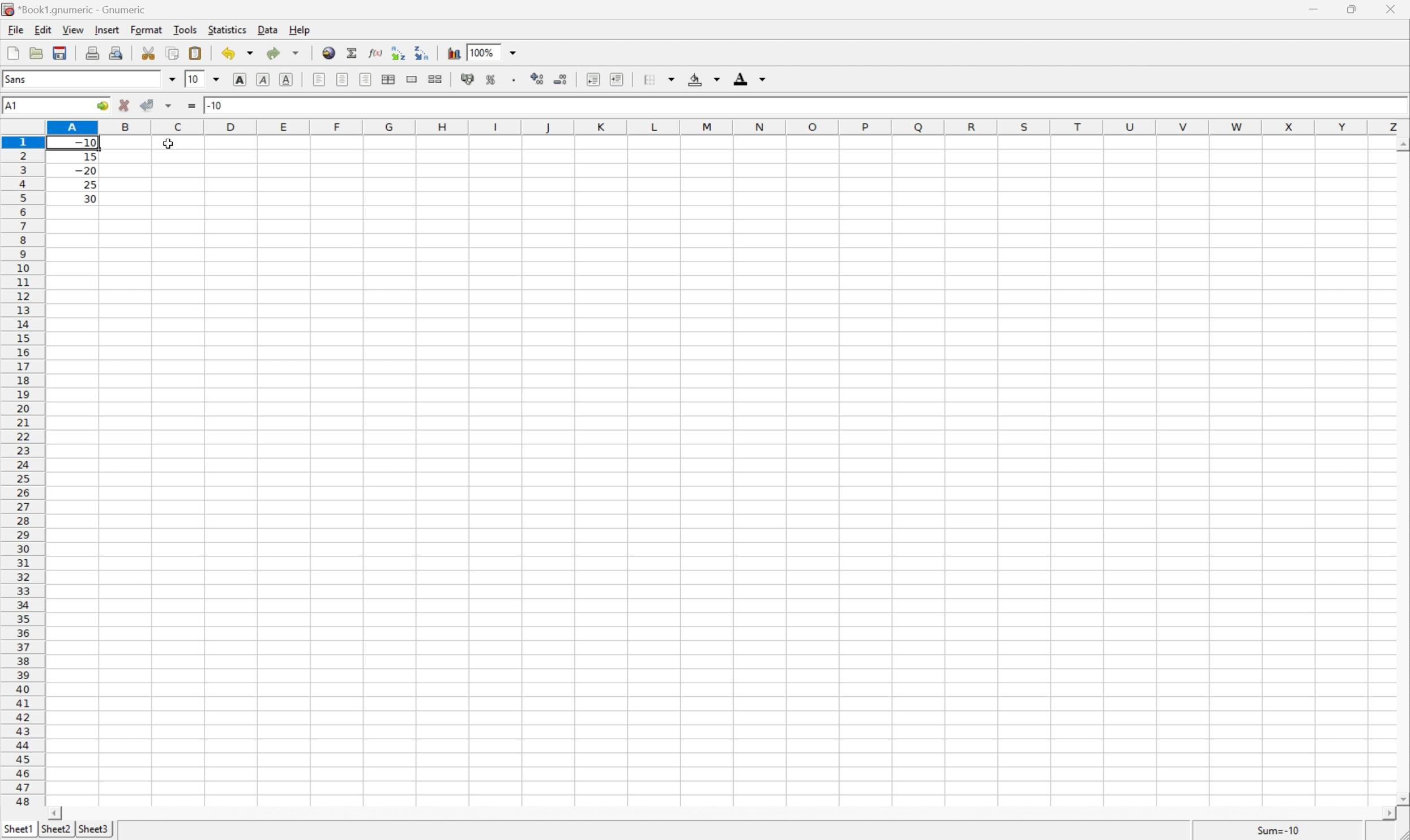  What do you see at coordinates (375, 52) in the screenshot?
I see `Edit a function in current cell` at bounding box center [375, 52].